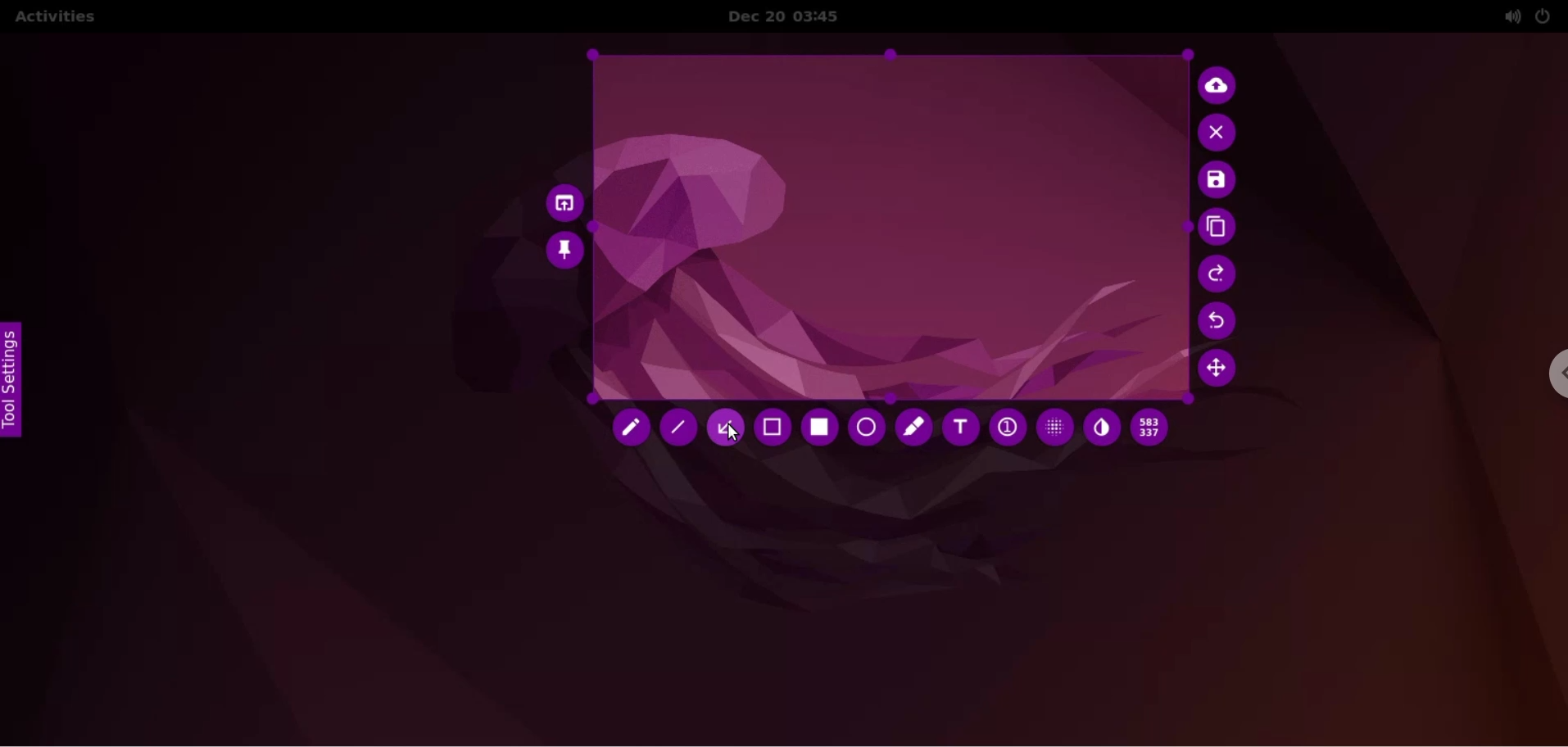  What do you see at coordinates (1221, 321) in the screenshot?
I see `undo` at bounding box center [1221, 321].